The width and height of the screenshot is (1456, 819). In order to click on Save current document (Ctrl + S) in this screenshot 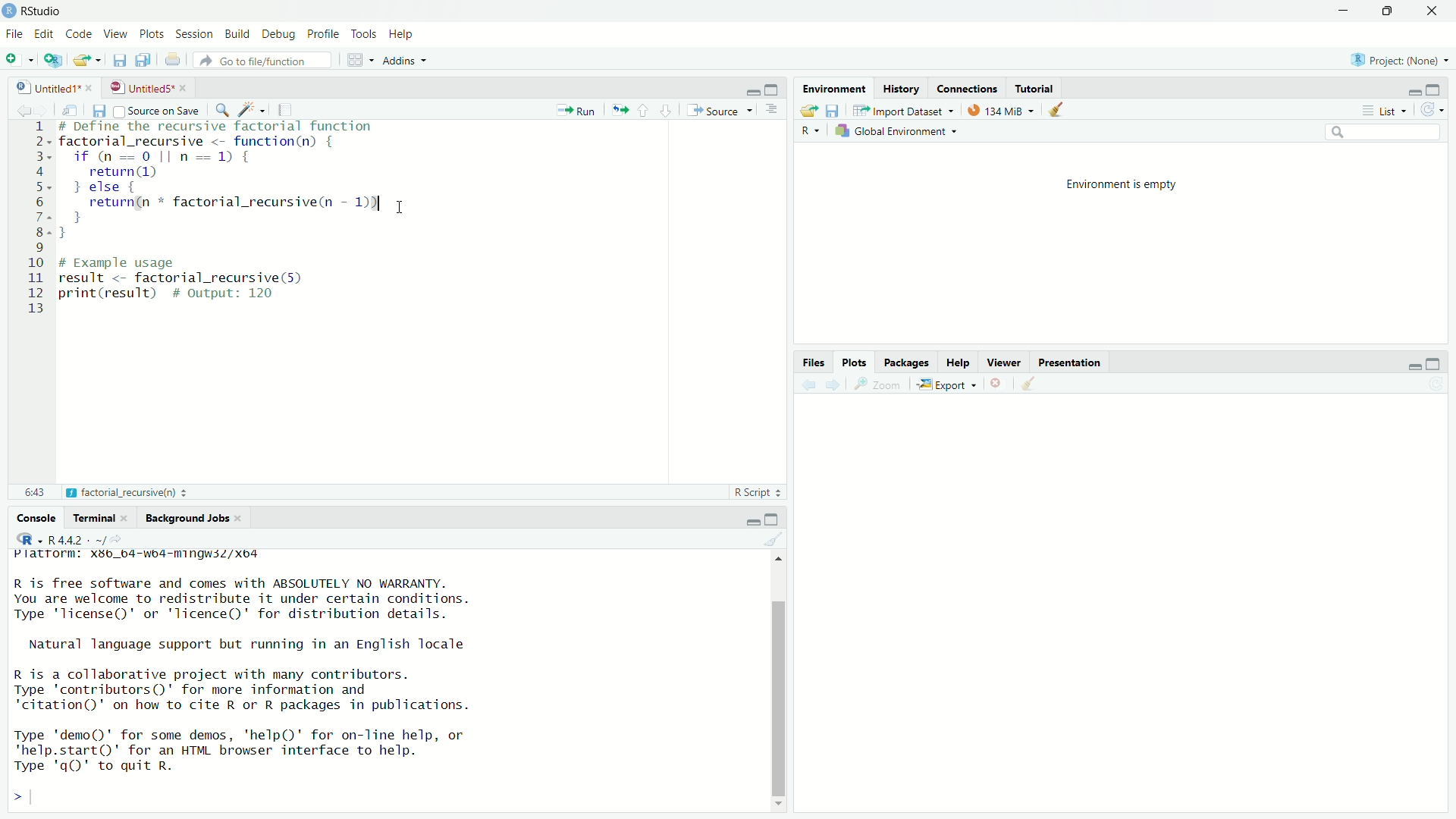, I will do `click(121, 61)`.